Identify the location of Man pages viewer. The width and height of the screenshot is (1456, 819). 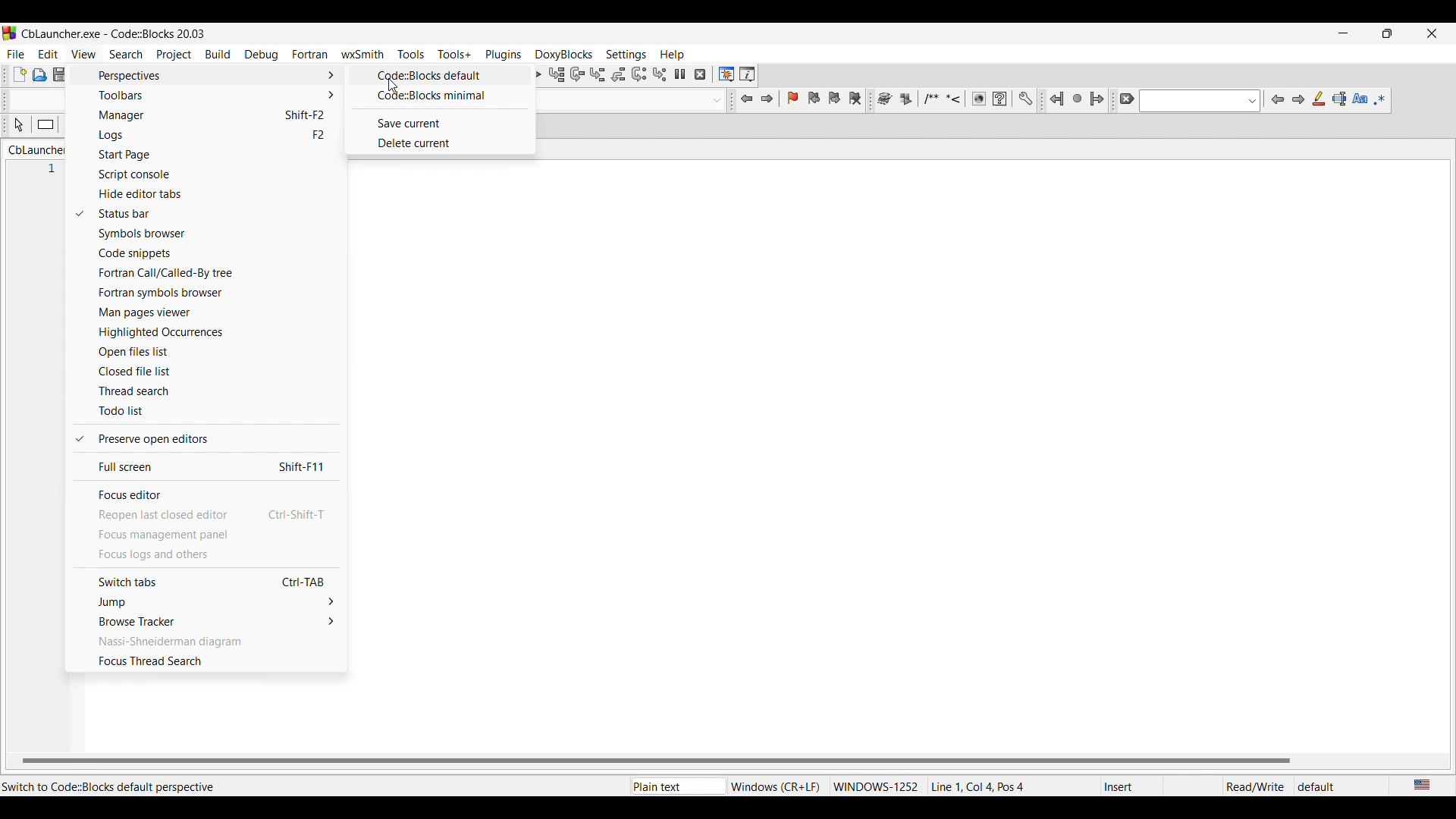
(217, 312).